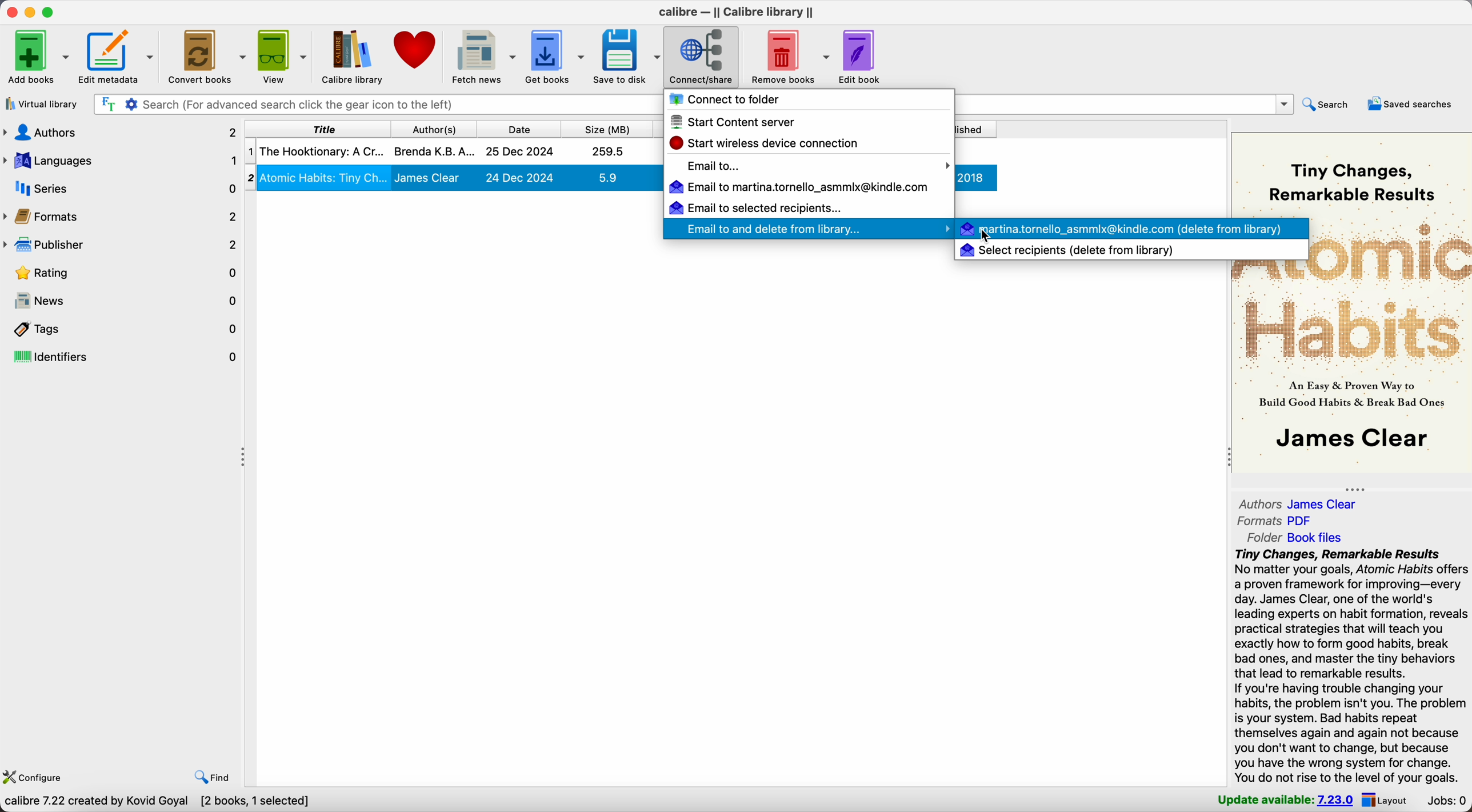 The width and height of the screenshot is (1472, 812). What do you see at coordinates (121, 135) in the screenshot?
I see `authors` at bounding box center [121, 135].